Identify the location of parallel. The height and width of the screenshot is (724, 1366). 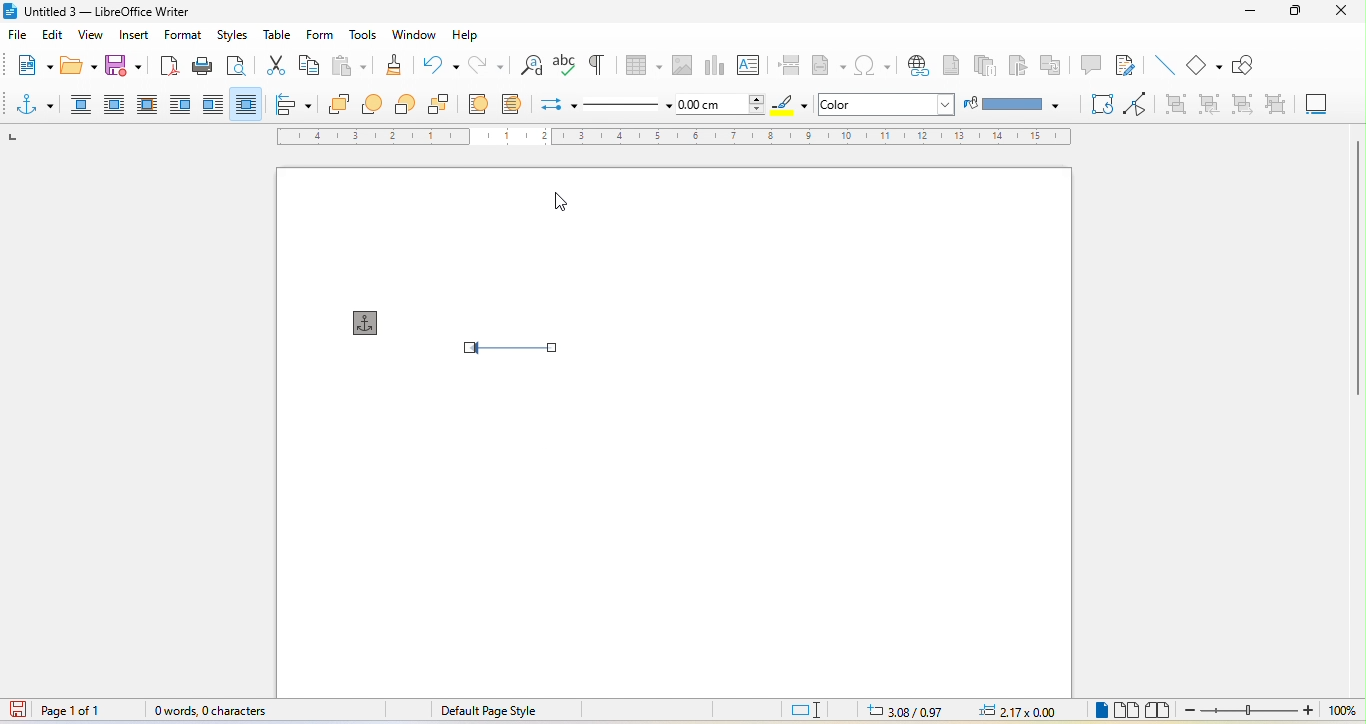
(118, 105).